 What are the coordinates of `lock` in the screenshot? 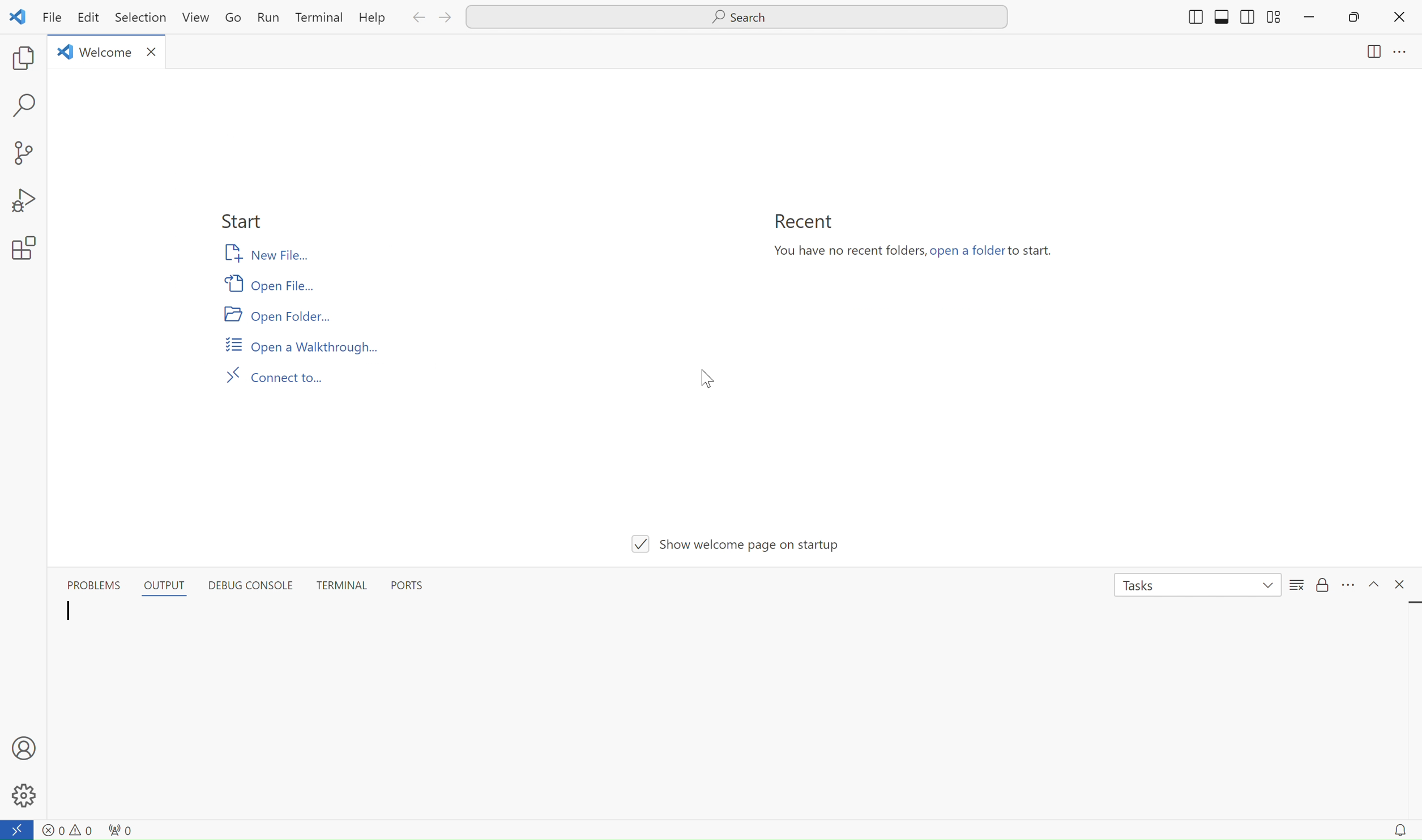 It's located at (1325, 582).